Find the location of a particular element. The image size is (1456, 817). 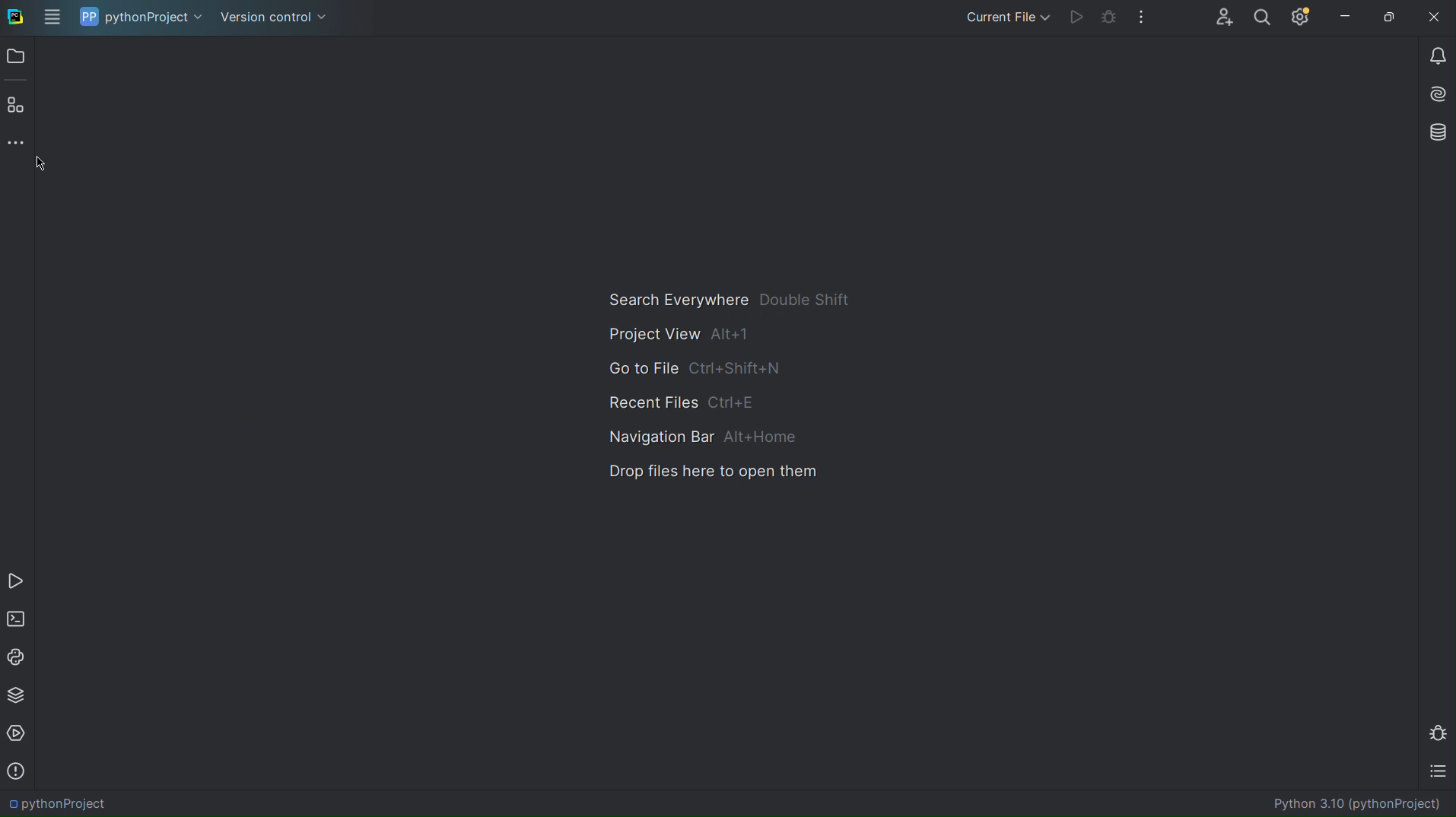

Document title is located at coordinates (1342, 805).